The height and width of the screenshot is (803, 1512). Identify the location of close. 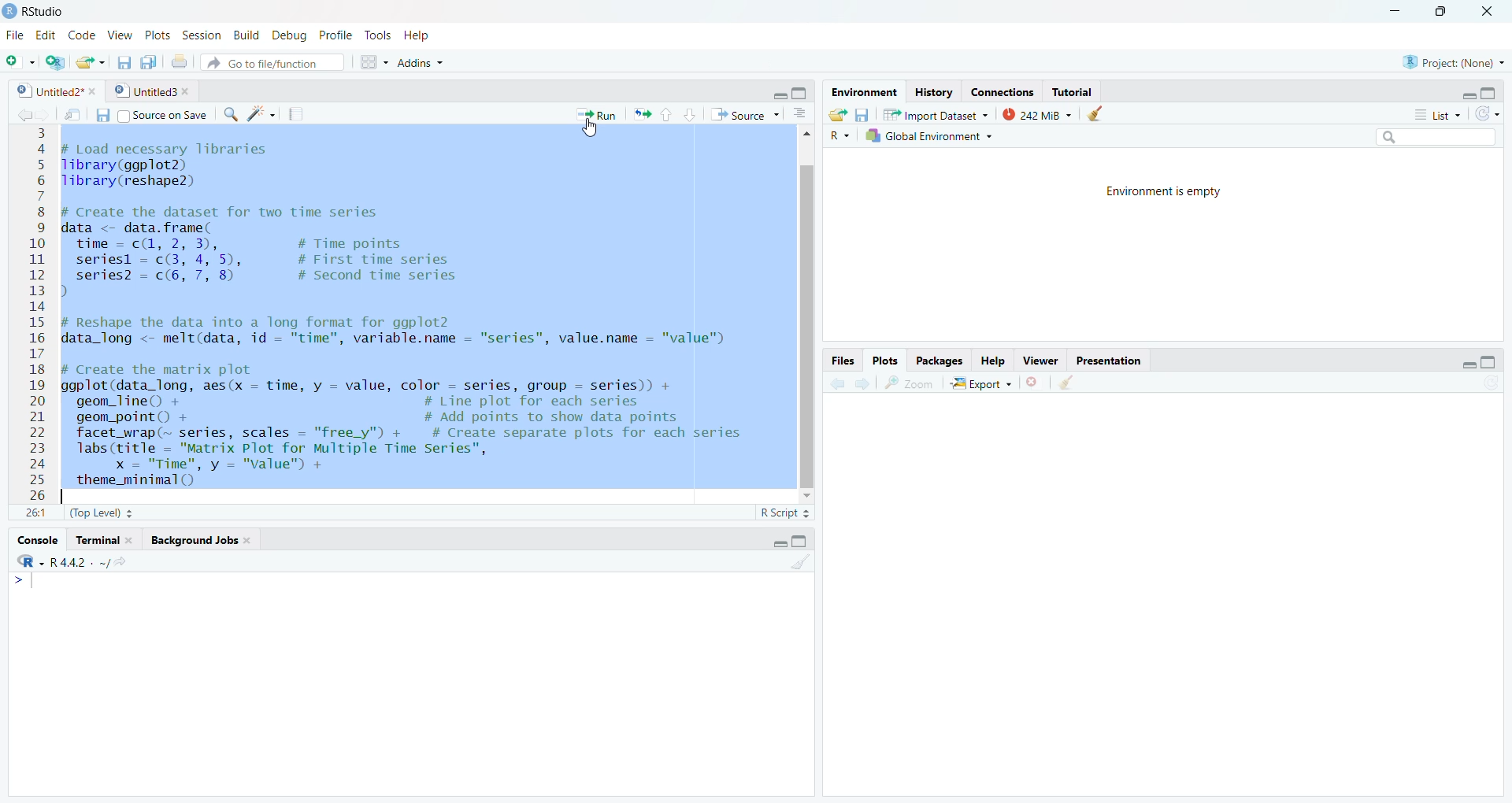
(190, 92).